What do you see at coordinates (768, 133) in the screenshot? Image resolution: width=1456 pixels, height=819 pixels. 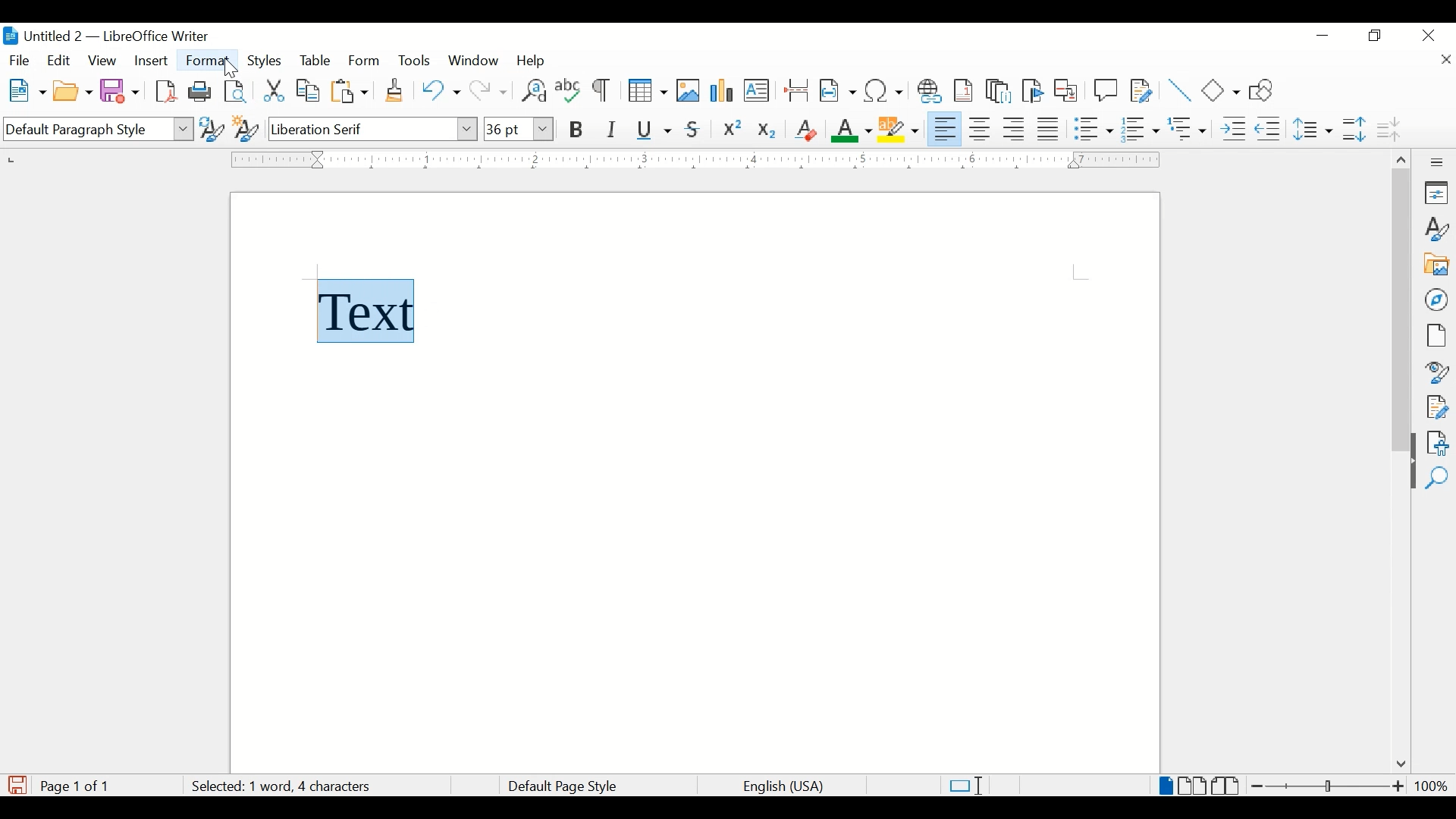 I see `subscript` at bounding box center [768, 133].